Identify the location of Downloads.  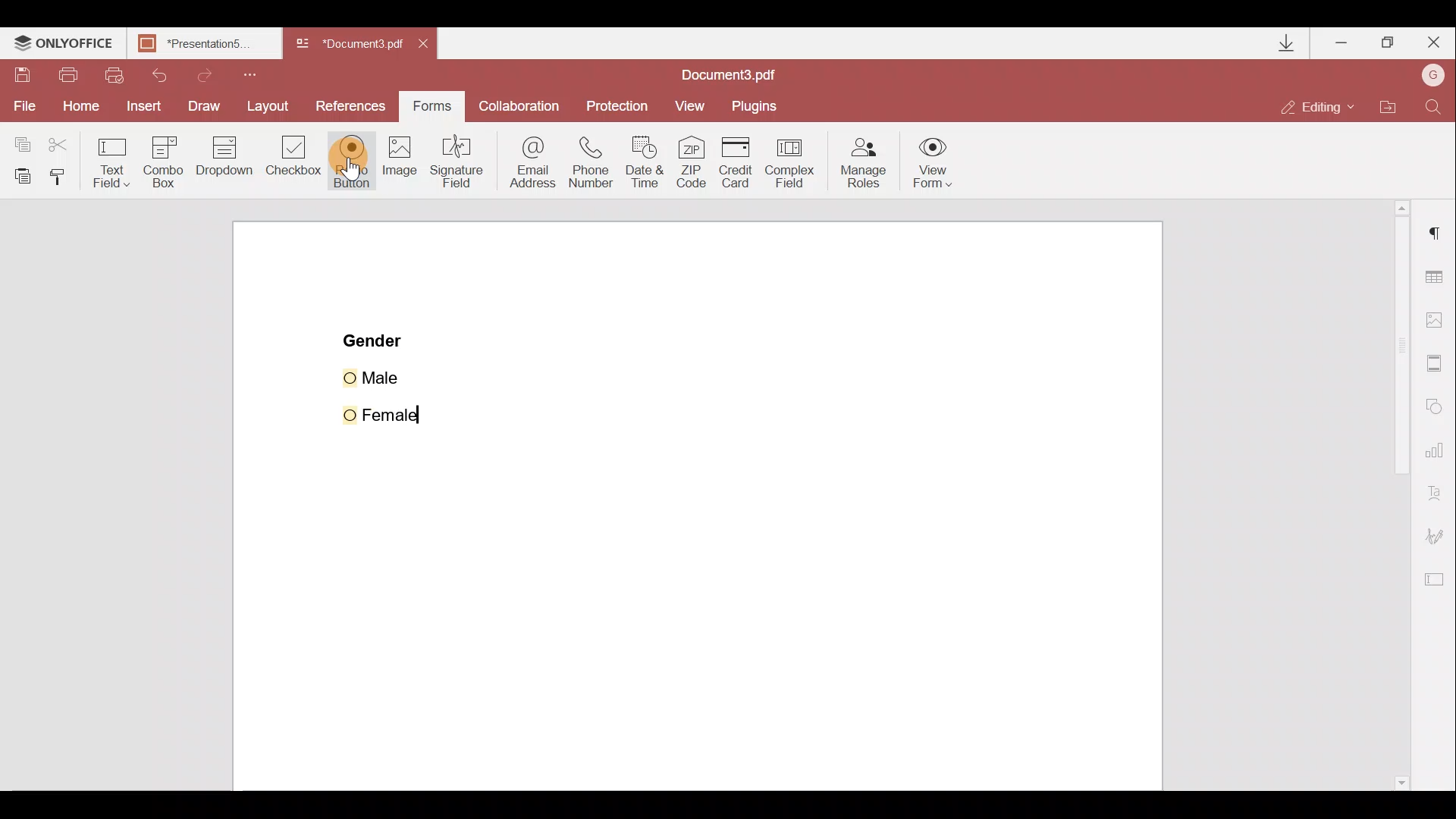
(1278, 41).